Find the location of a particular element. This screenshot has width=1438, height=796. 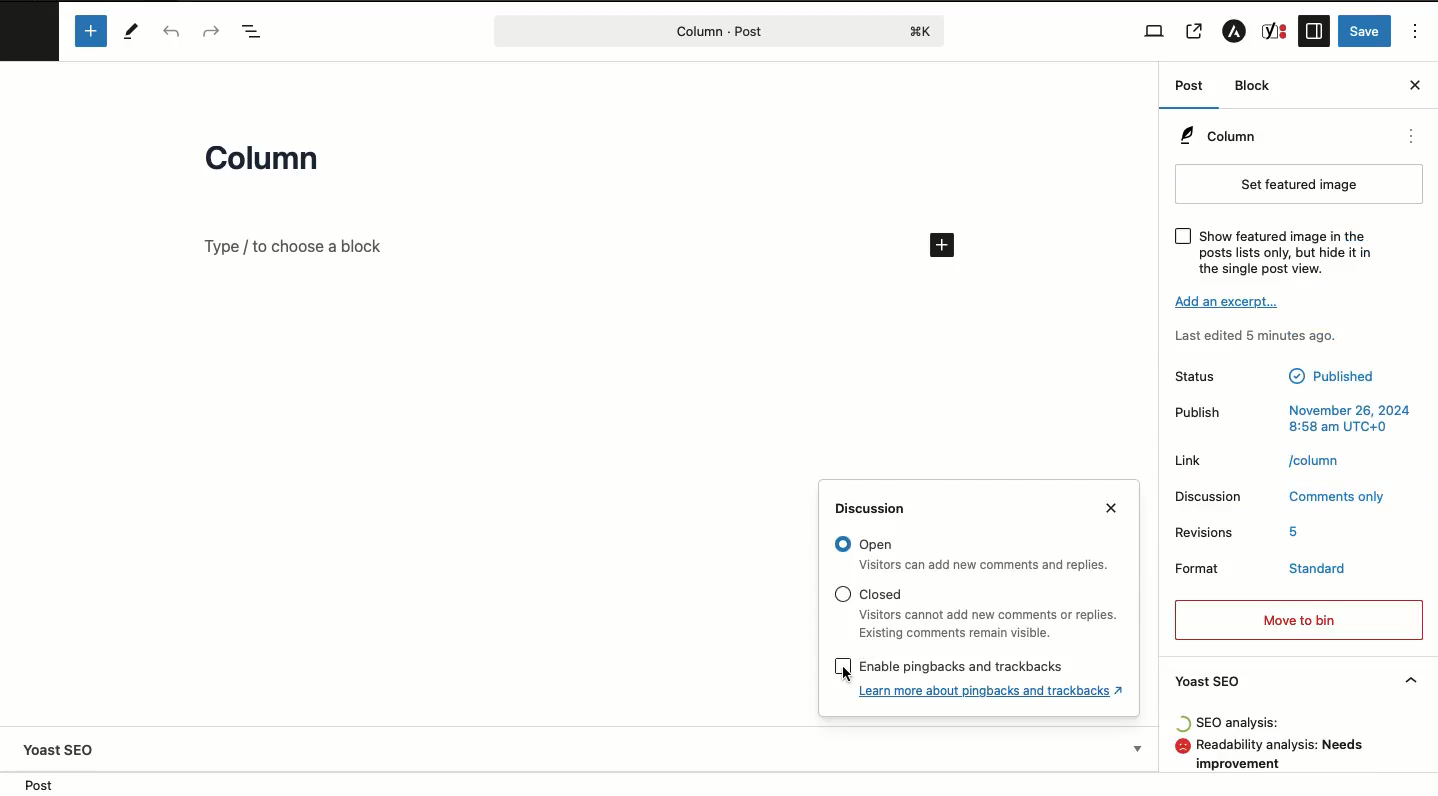

Analysis is located at coordinates (1289, 756).